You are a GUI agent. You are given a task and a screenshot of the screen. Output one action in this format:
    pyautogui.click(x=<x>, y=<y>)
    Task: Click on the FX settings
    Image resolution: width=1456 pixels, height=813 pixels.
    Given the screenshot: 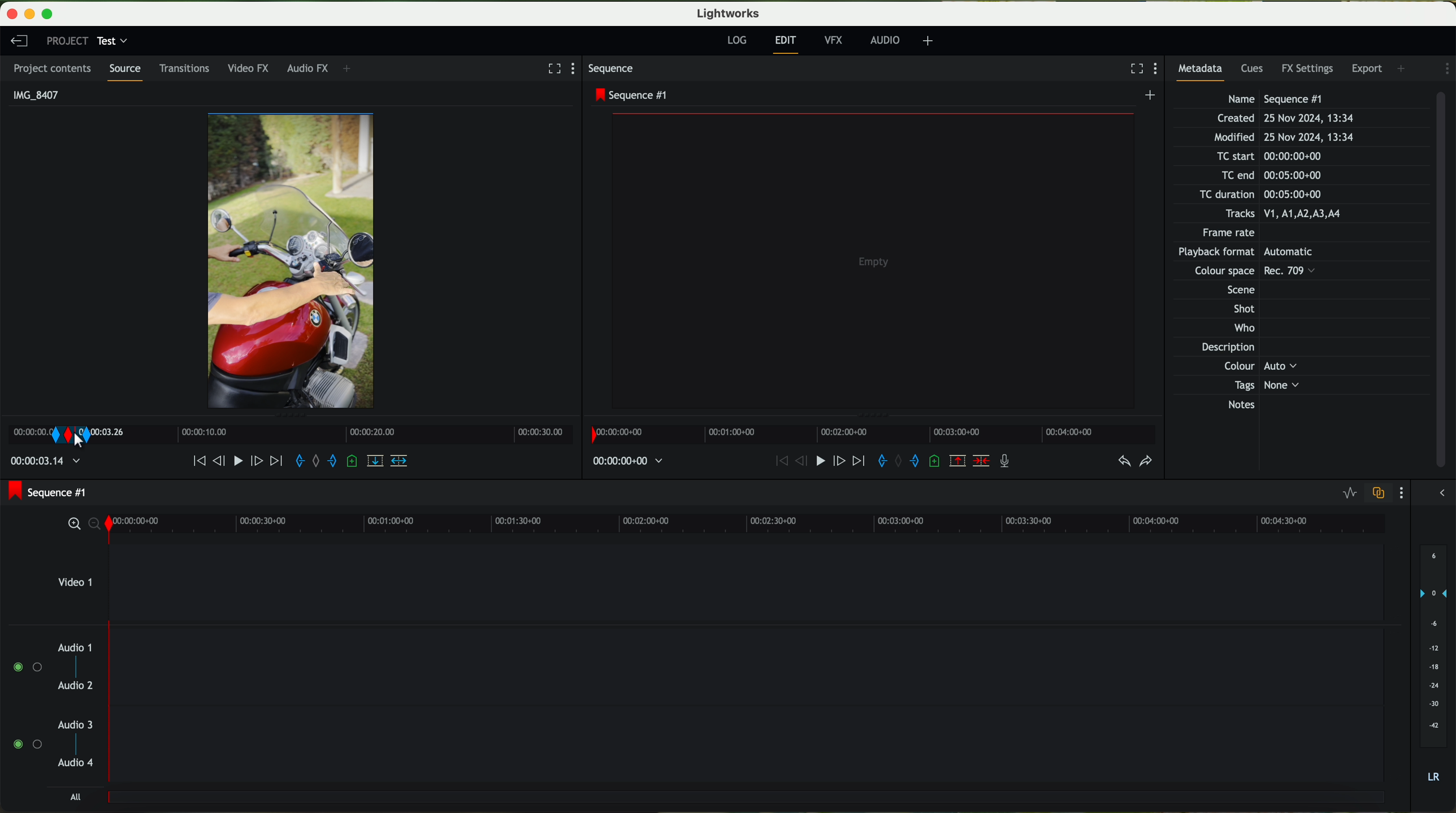 What is the action you would take?
    pyautogui.click(x=1308, y=67)
    